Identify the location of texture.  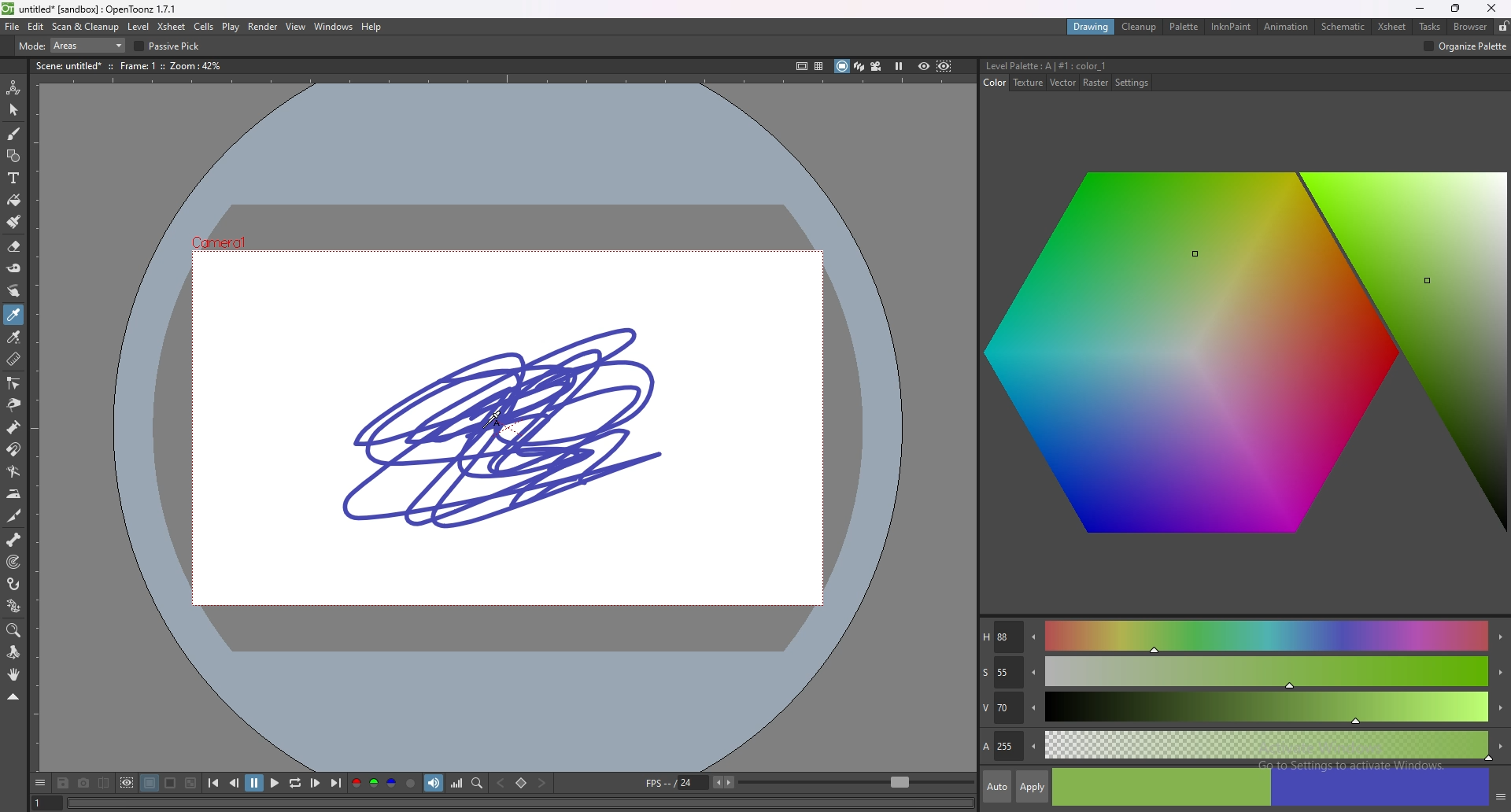
(1029, 83).